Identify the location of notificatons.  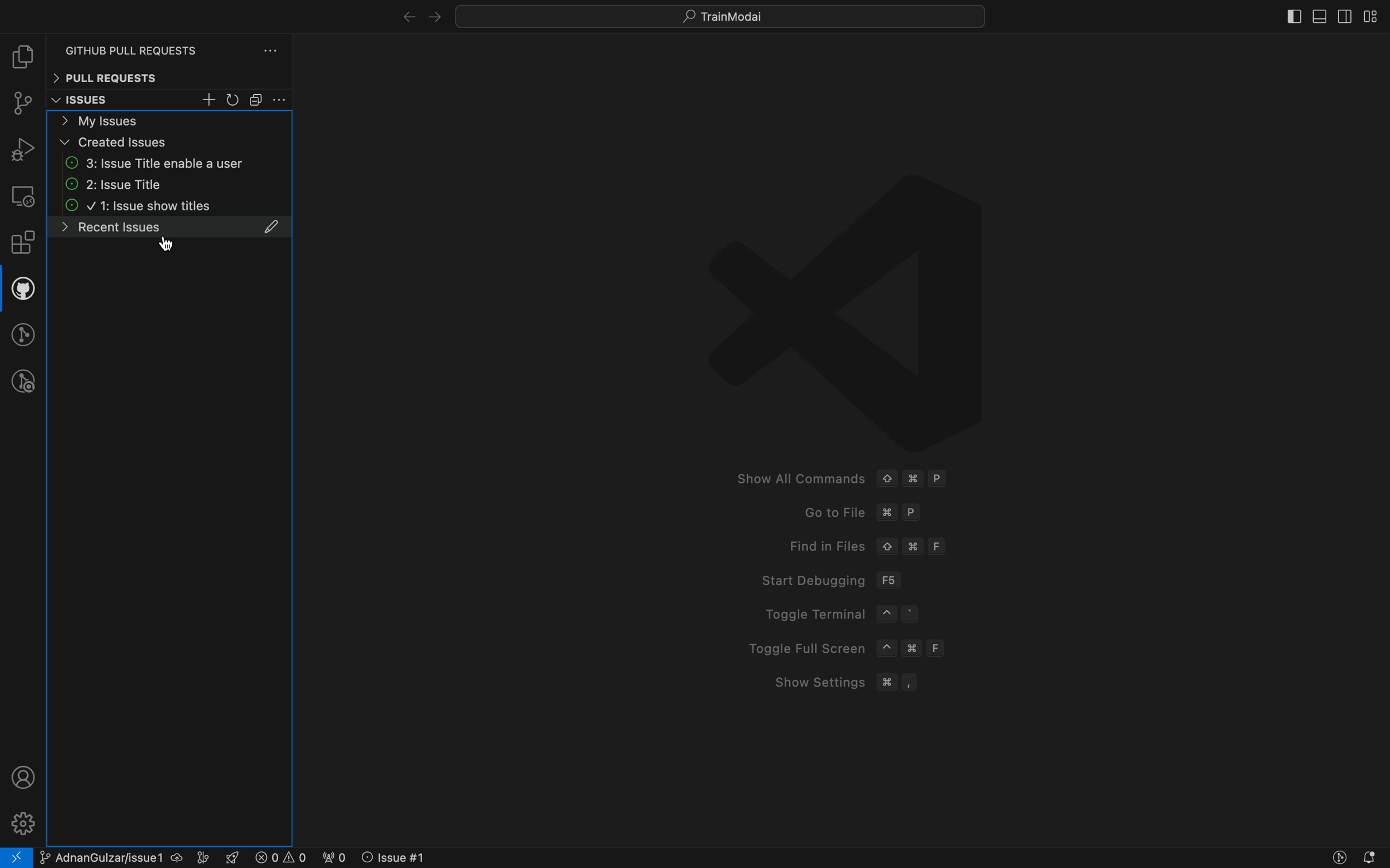
(1374, 858).